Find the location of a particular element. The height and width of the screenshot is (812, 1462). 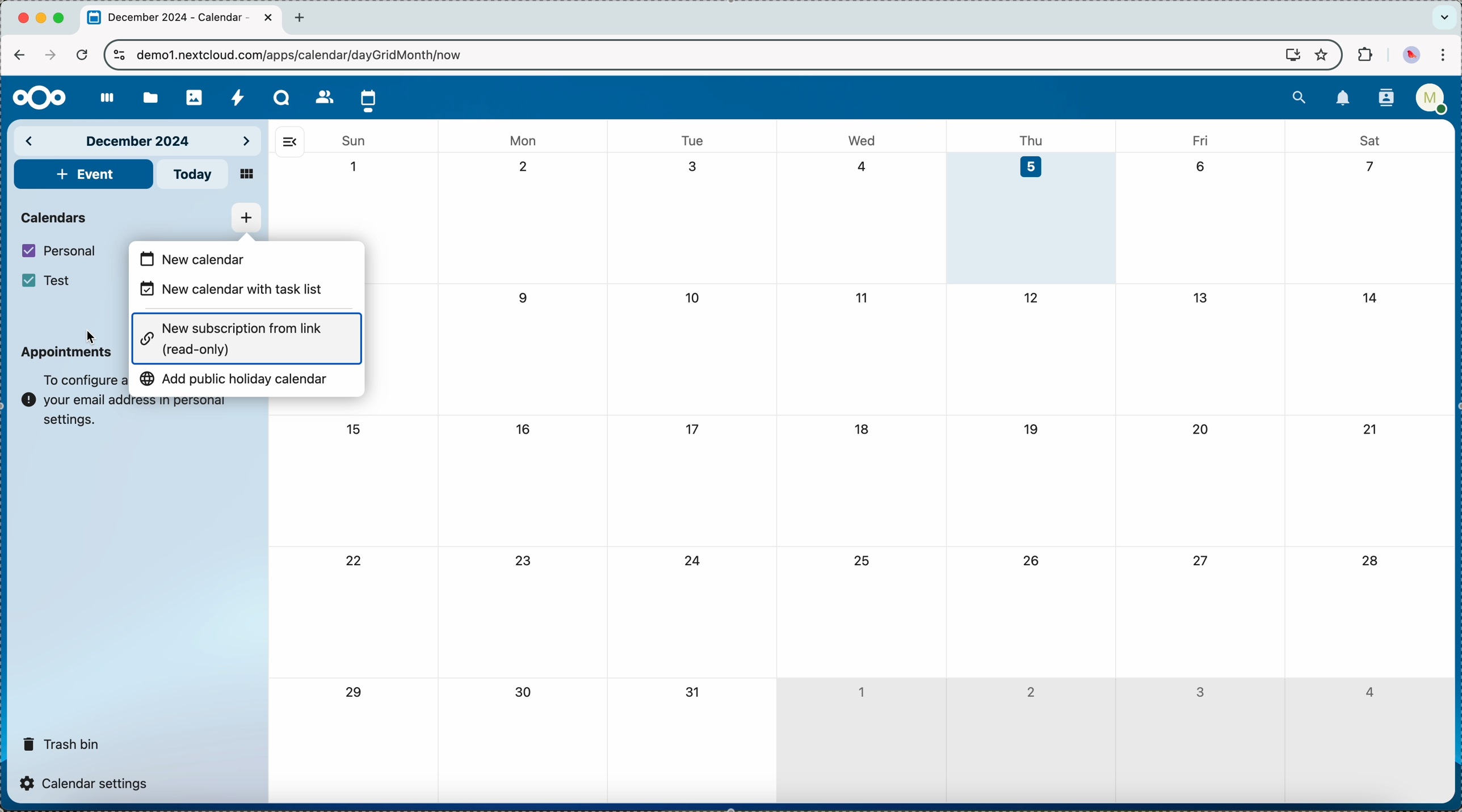

new tab is located at coordinates (303, 18).